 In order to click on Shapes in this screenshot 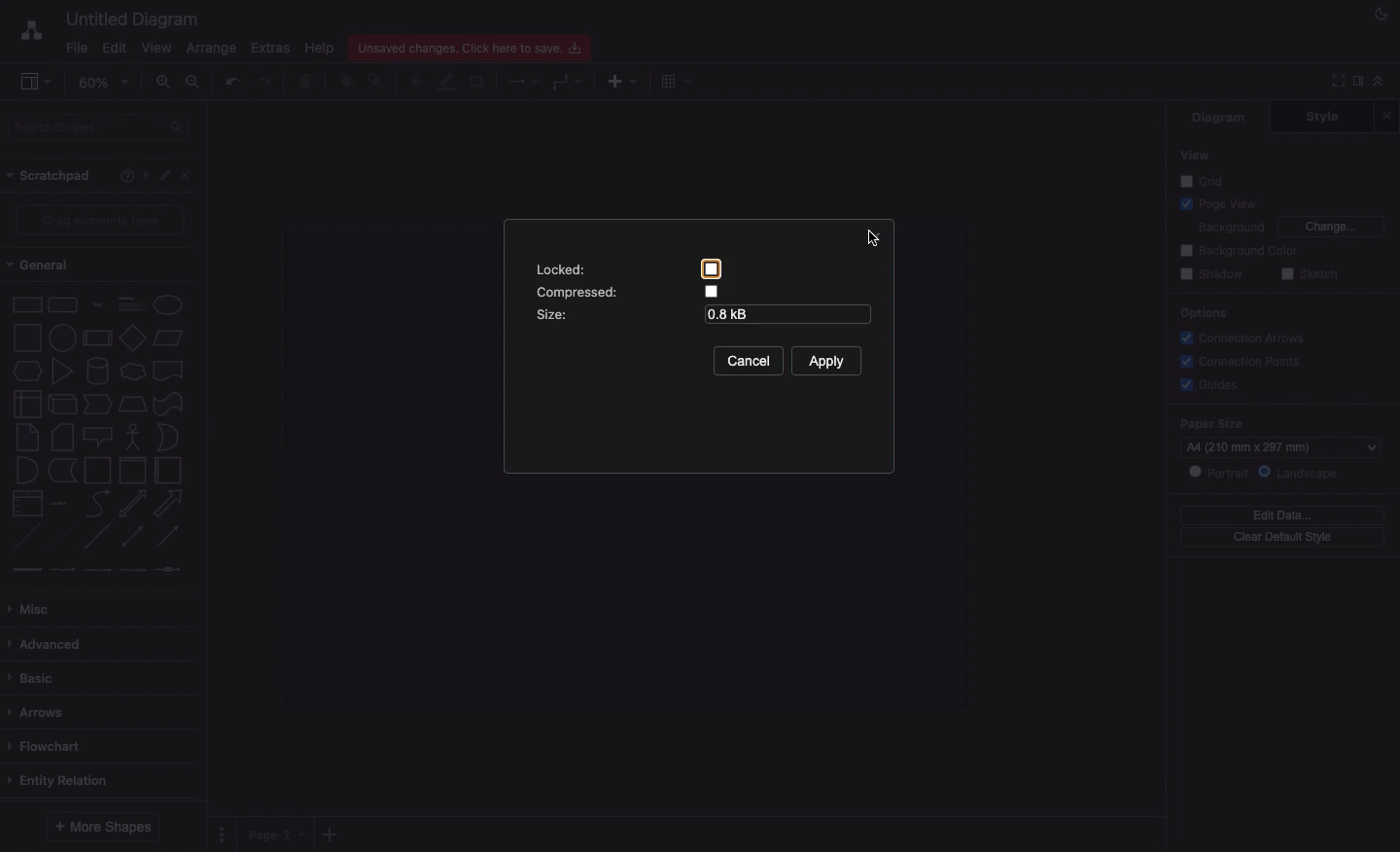, I will do `click(99, 436)`.